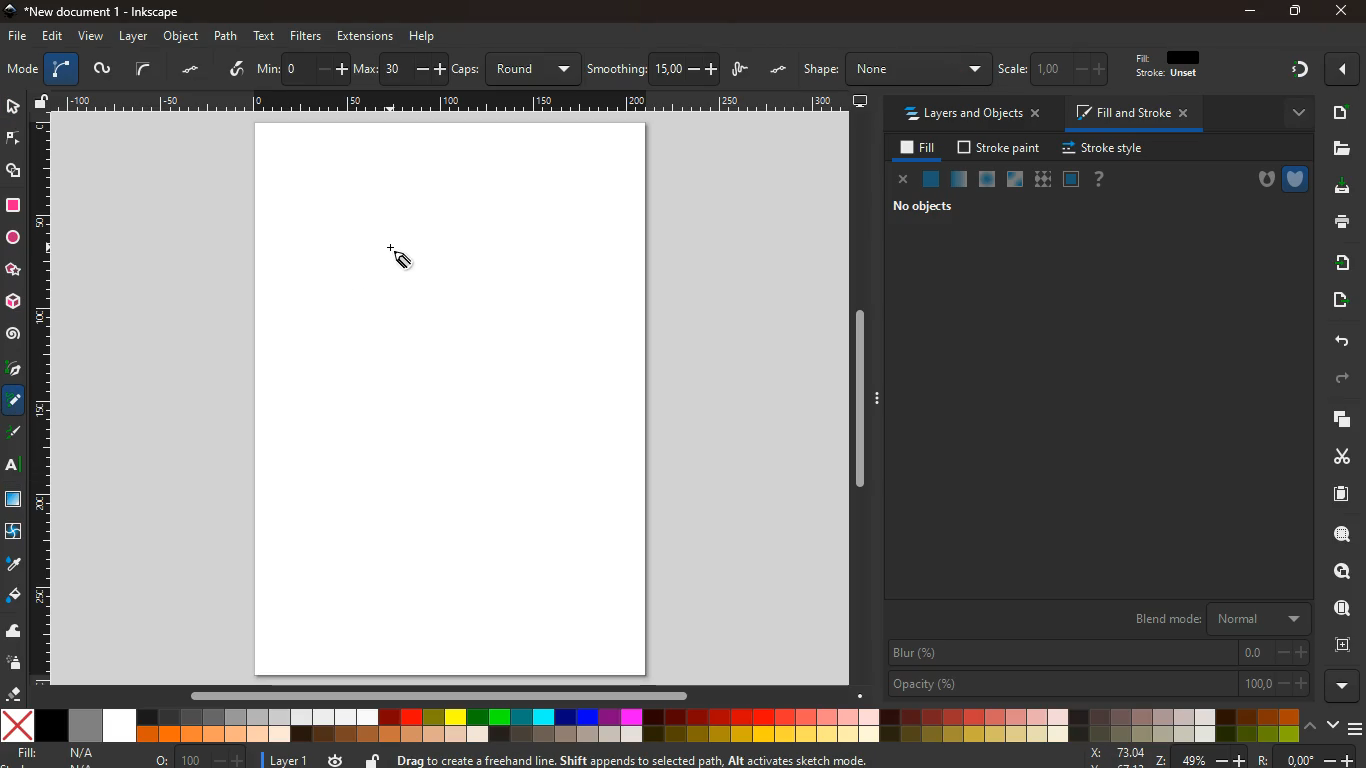 This screenshot has width=1366, height=768. I want to click on path, so click(225, 36).